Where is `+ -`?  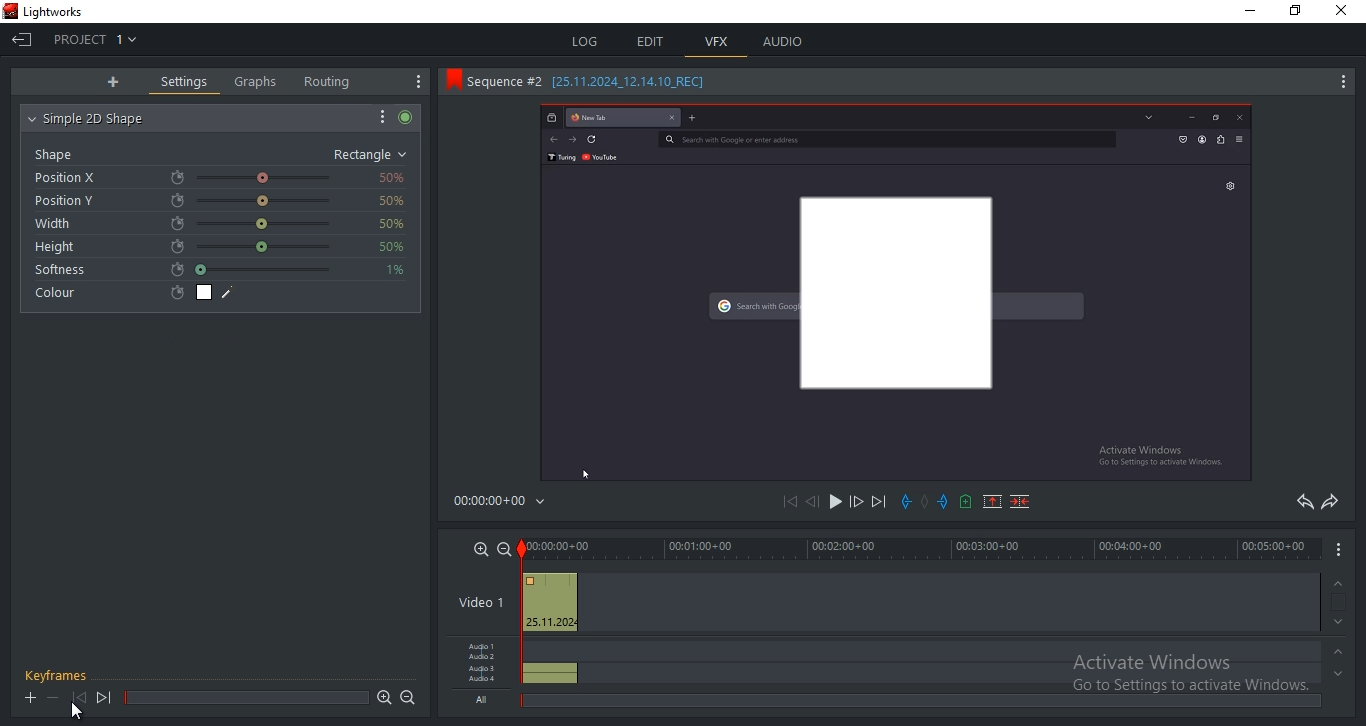 + - is located at coordinates (44, 696).